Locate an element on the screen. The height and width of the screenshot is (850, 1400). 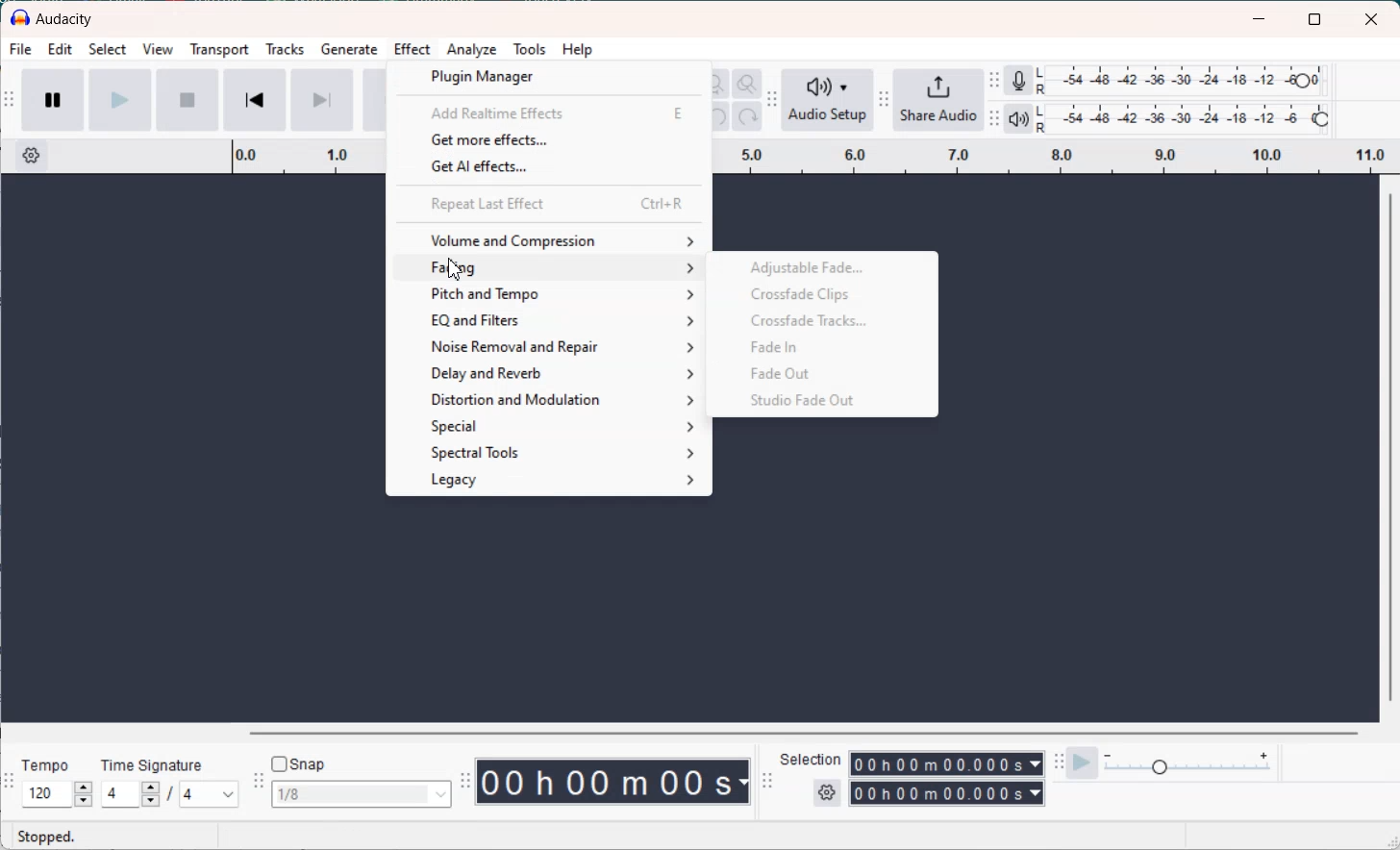
Play at speed is located at coordinates (1084, 762).